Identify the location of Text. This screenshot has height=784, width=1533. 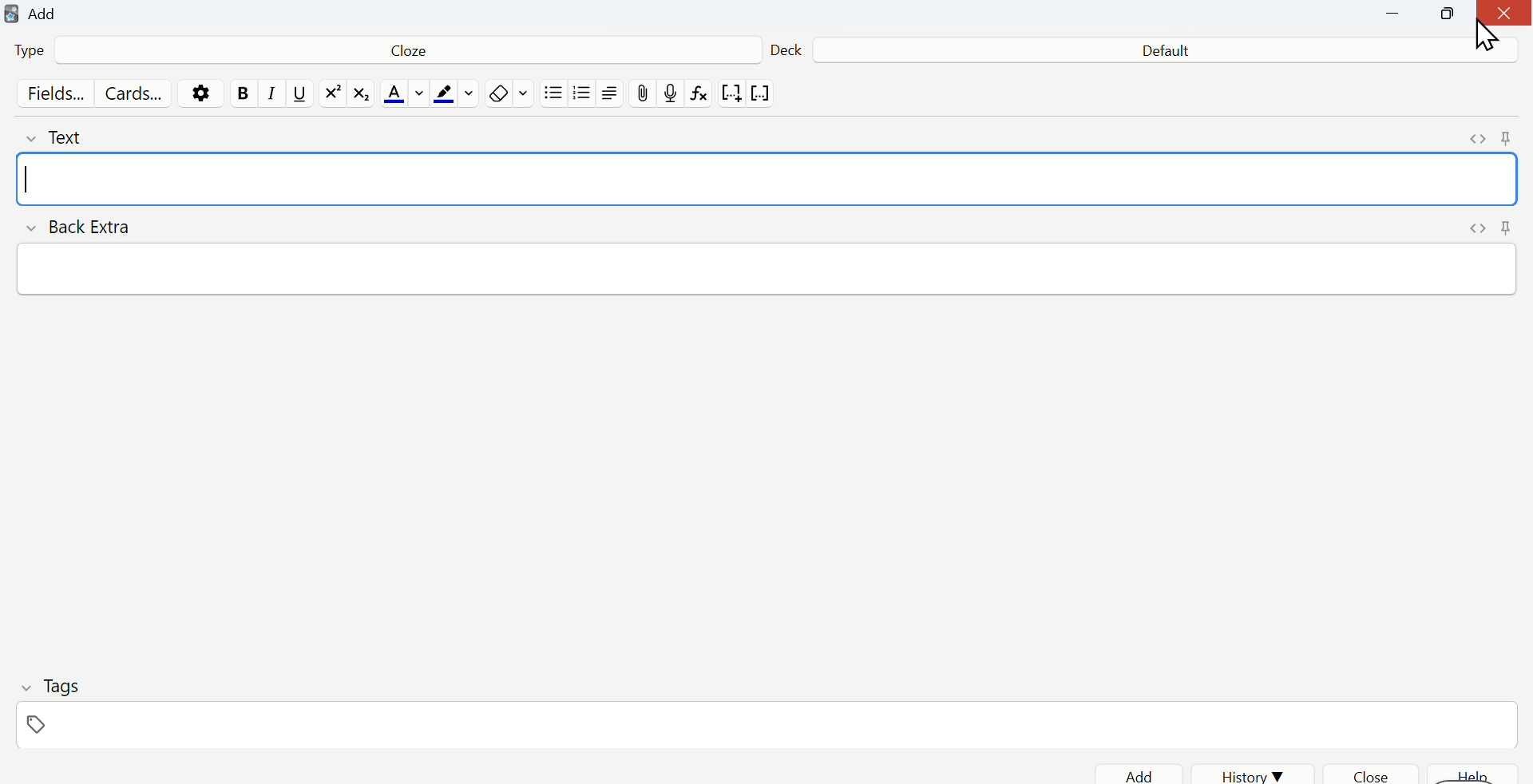
(70, 137).